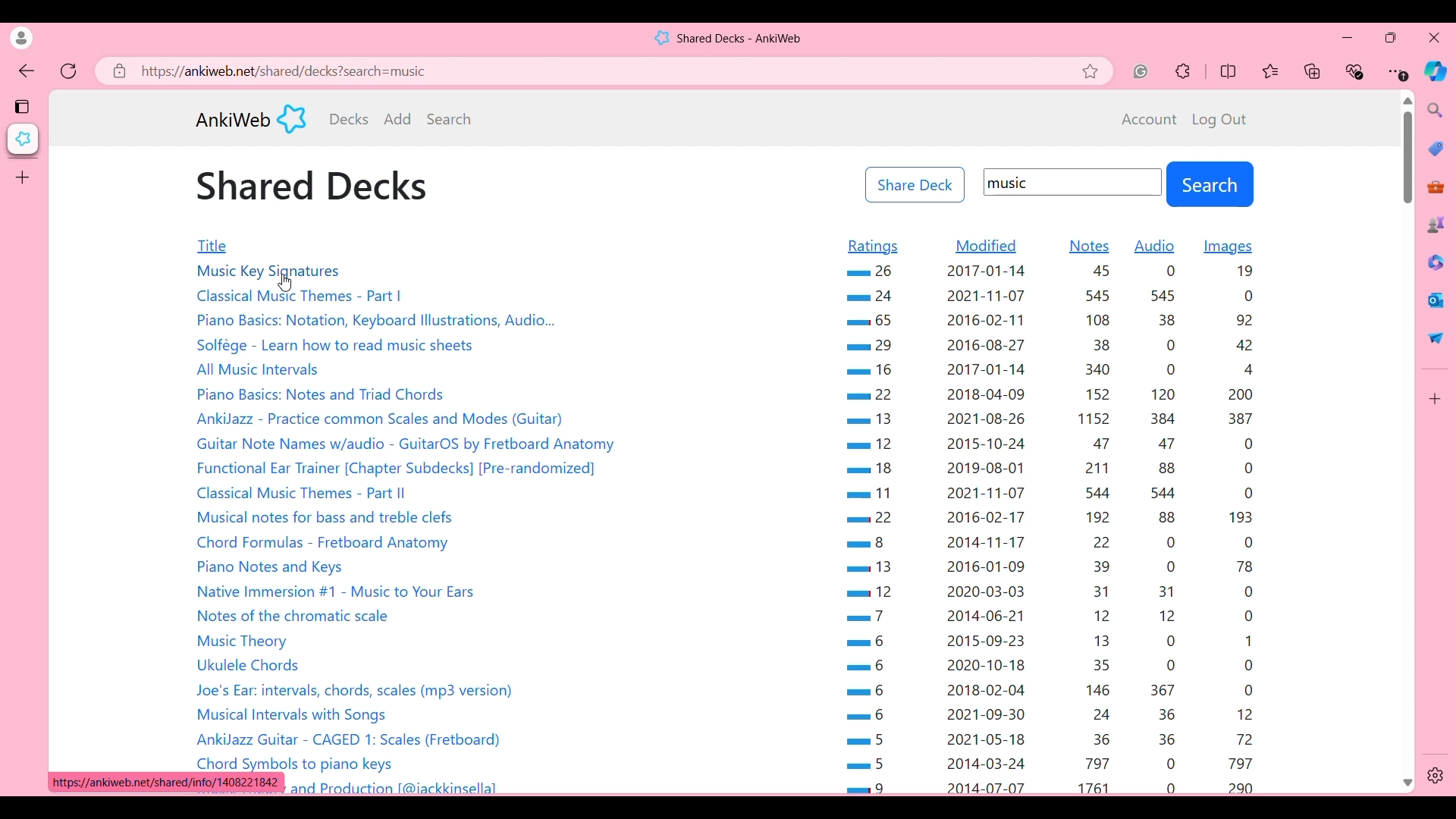  I want to click on Browser messaging software, so click(1436, 300).